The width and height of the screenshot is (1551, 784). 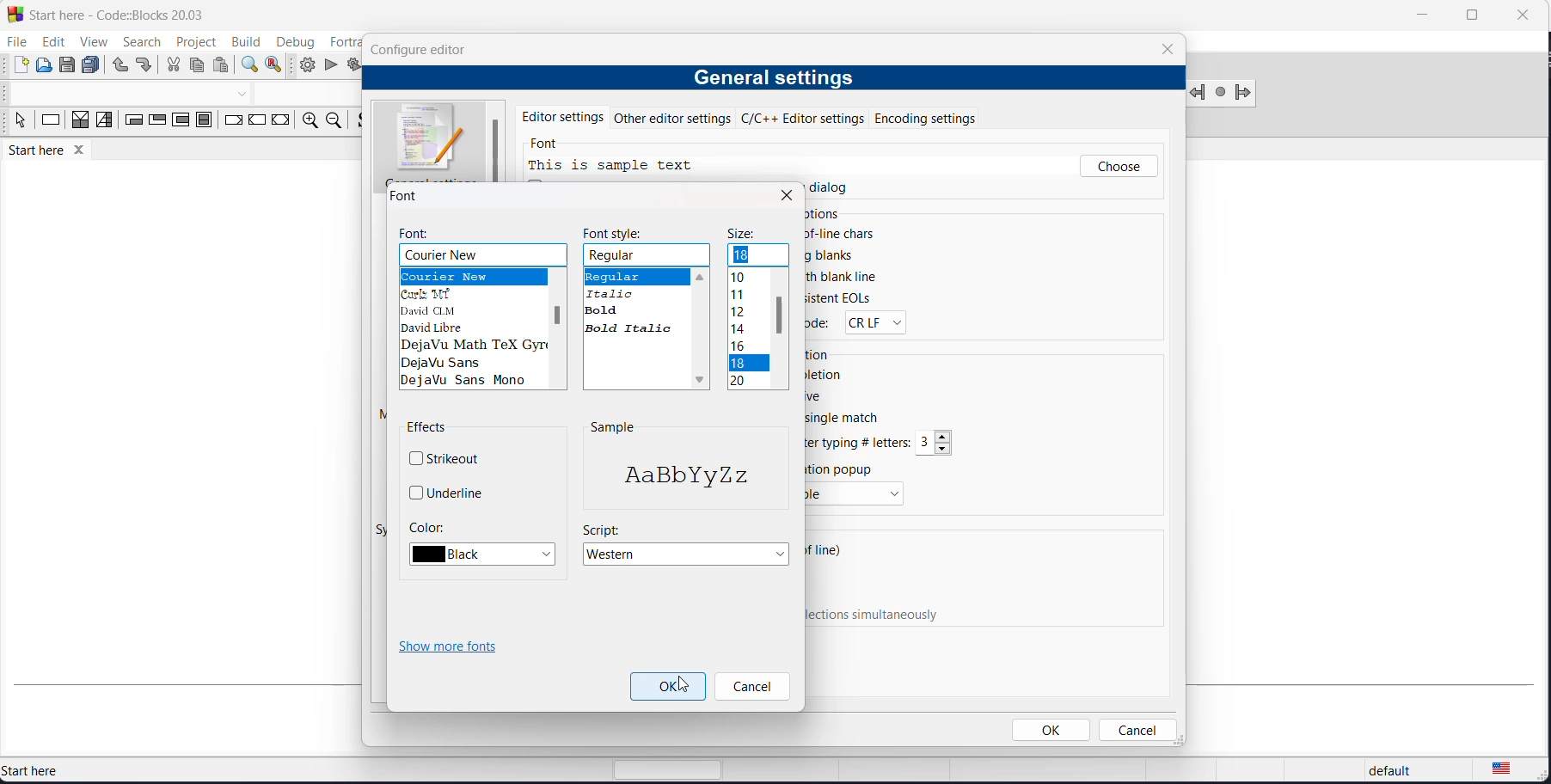 I want to click on start here, so click(x=76, y=770).